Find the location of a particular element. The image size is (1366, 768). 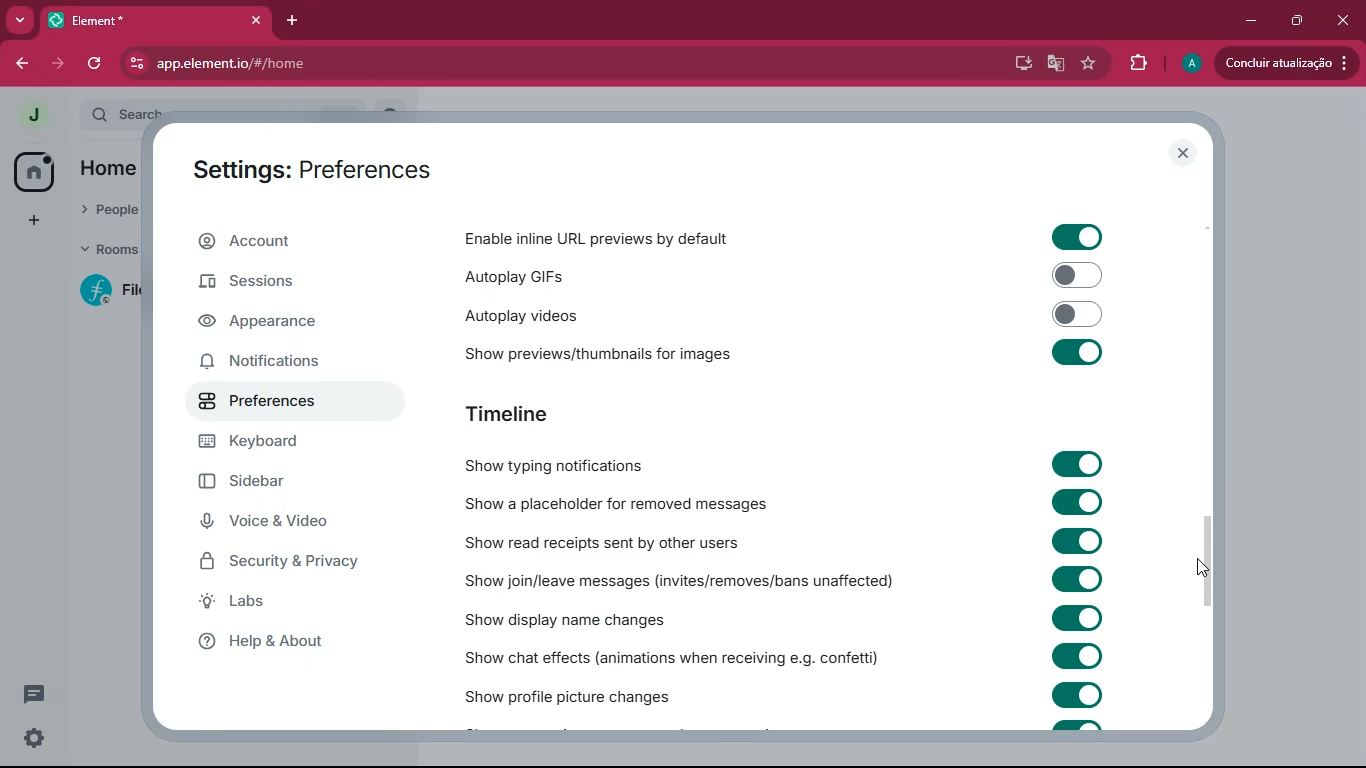

toggle on/off is located at coordinates (1077, 352).